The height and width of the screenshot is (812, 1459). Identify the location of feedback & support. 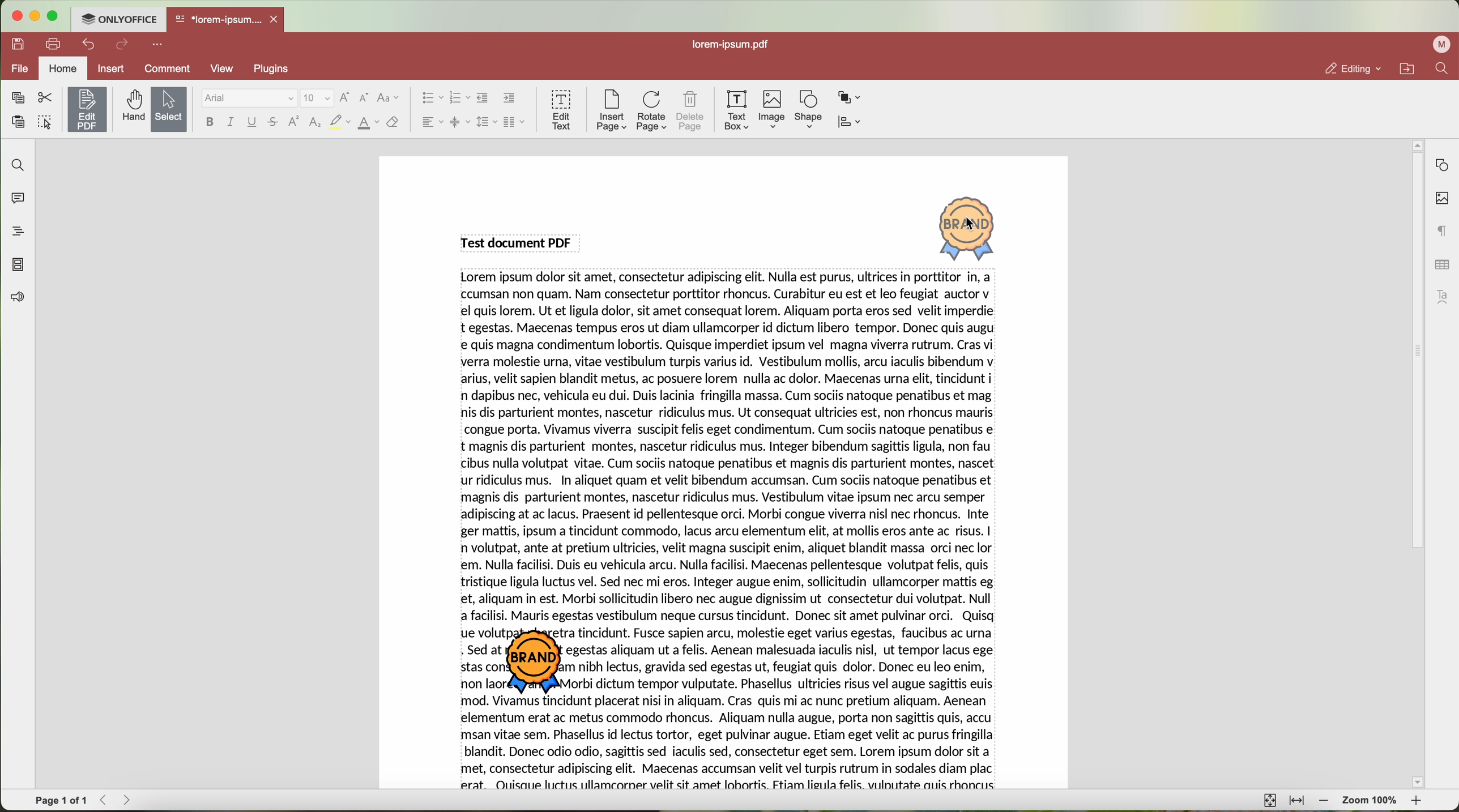
(16, 299).